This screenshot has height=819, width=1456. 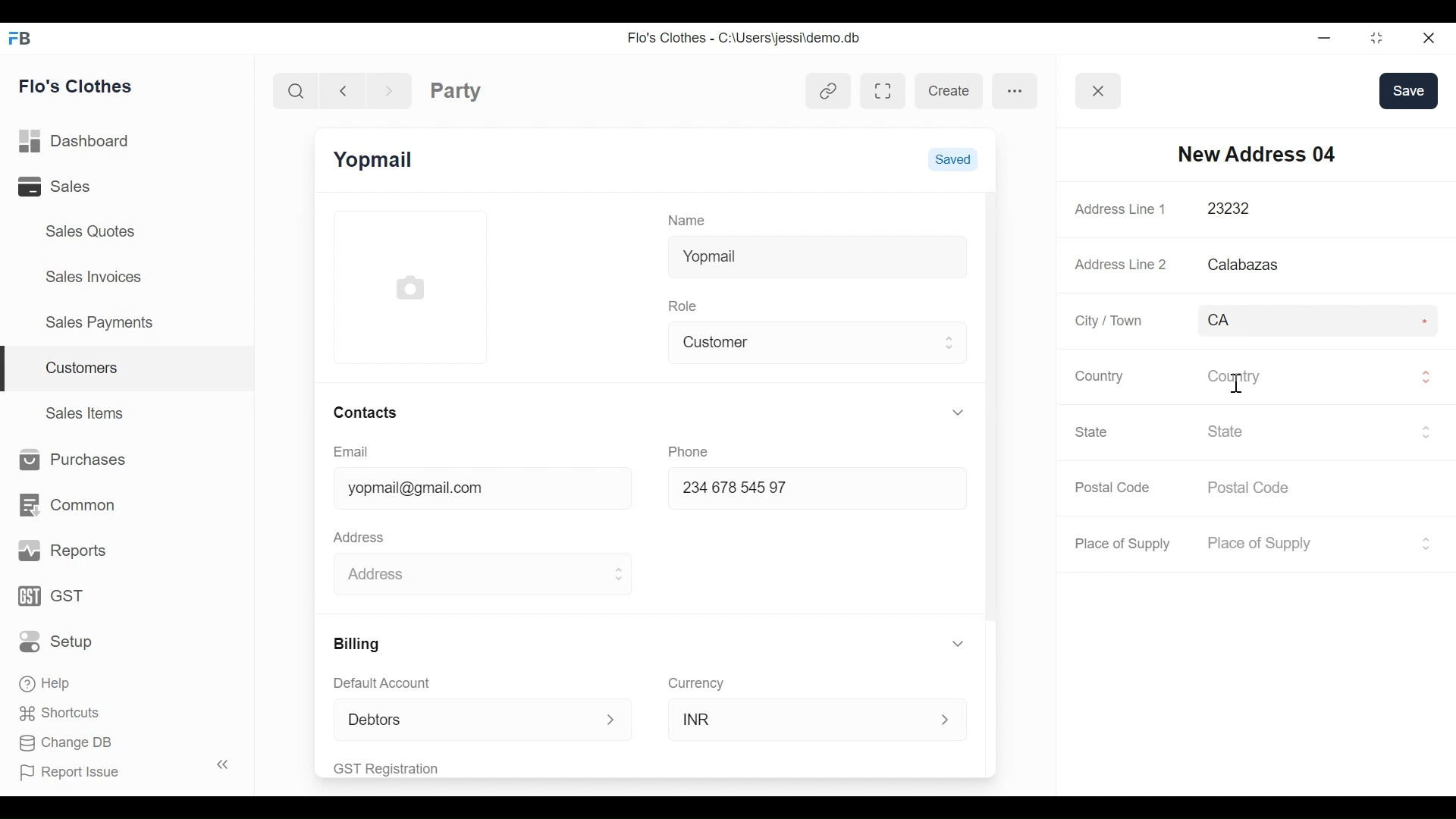 What do you see at coordinates (1318, 265) in the screenshot?
I see `Calabazas` at bounding box center [1318, 265].